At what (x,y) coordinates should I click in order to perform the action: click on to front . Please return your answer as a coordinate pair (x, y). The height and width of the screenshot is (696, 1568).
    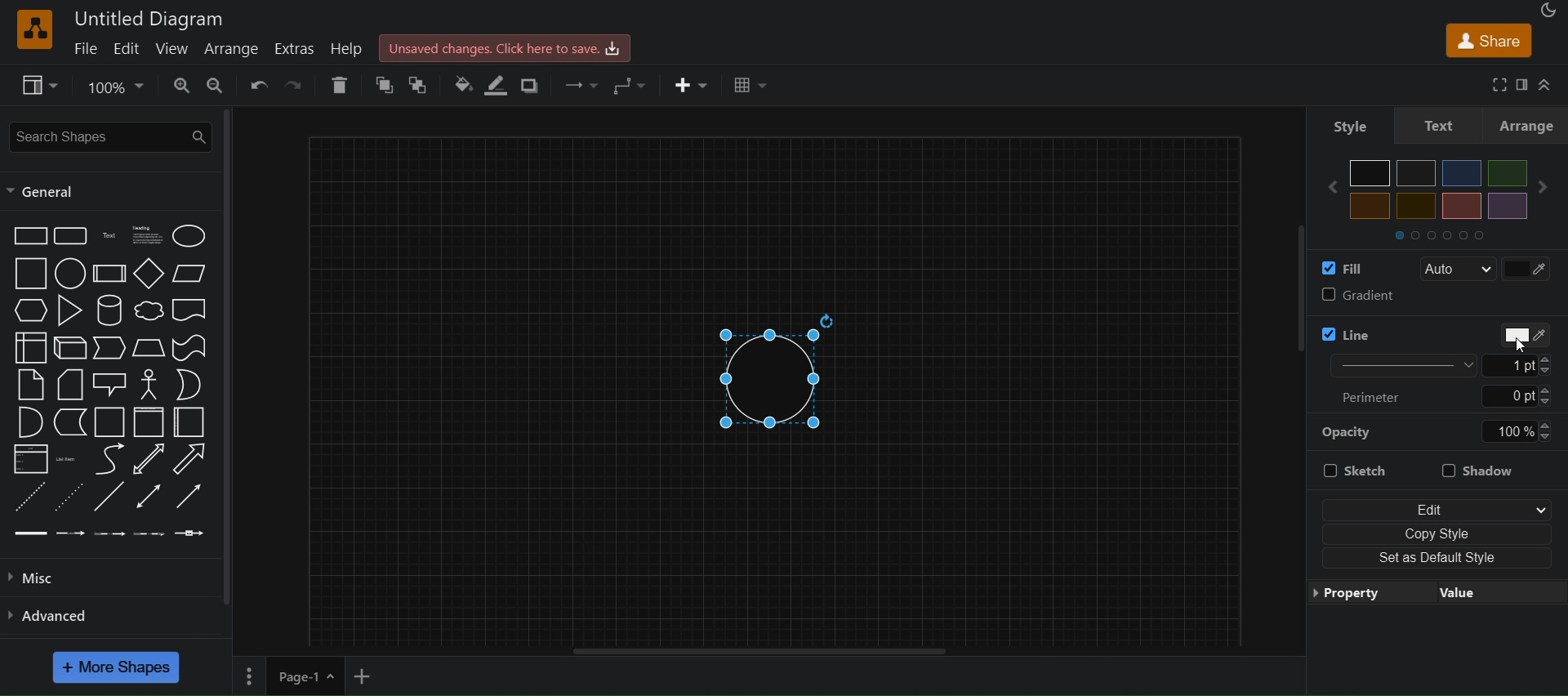
    Looking at the image, I should click on (417, 84).